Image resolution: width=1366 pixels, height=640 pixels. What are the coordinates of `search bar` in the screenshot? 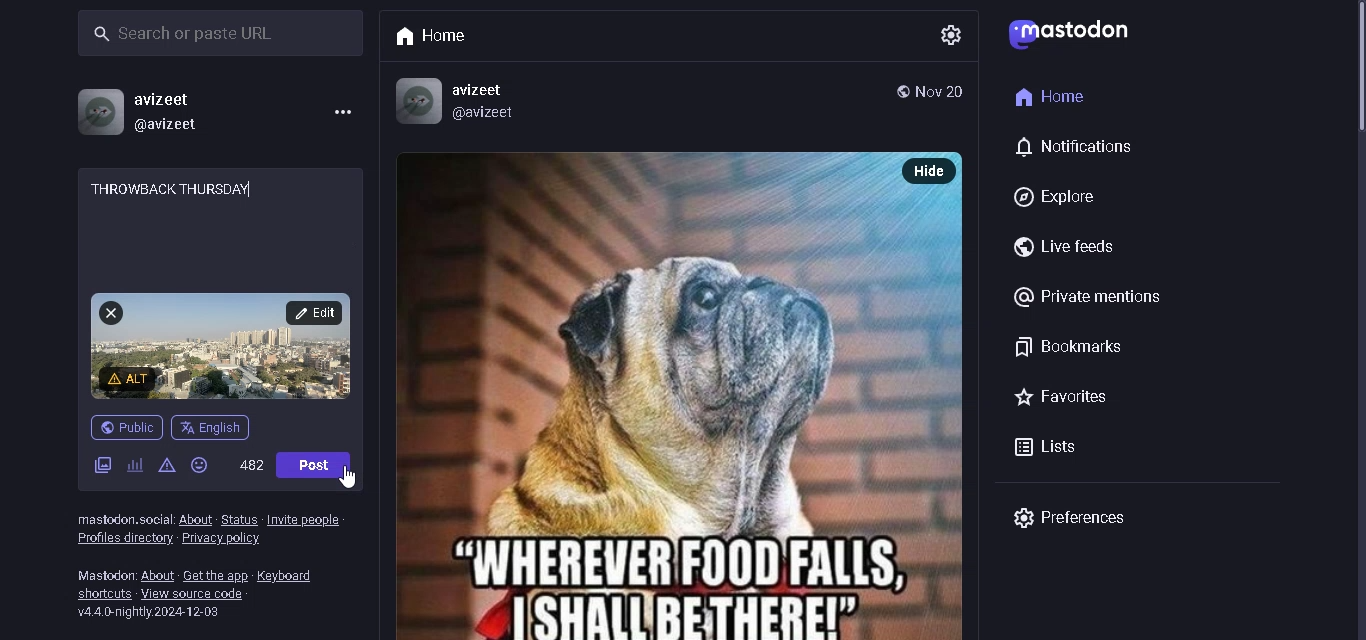 It's located at (212, 35).